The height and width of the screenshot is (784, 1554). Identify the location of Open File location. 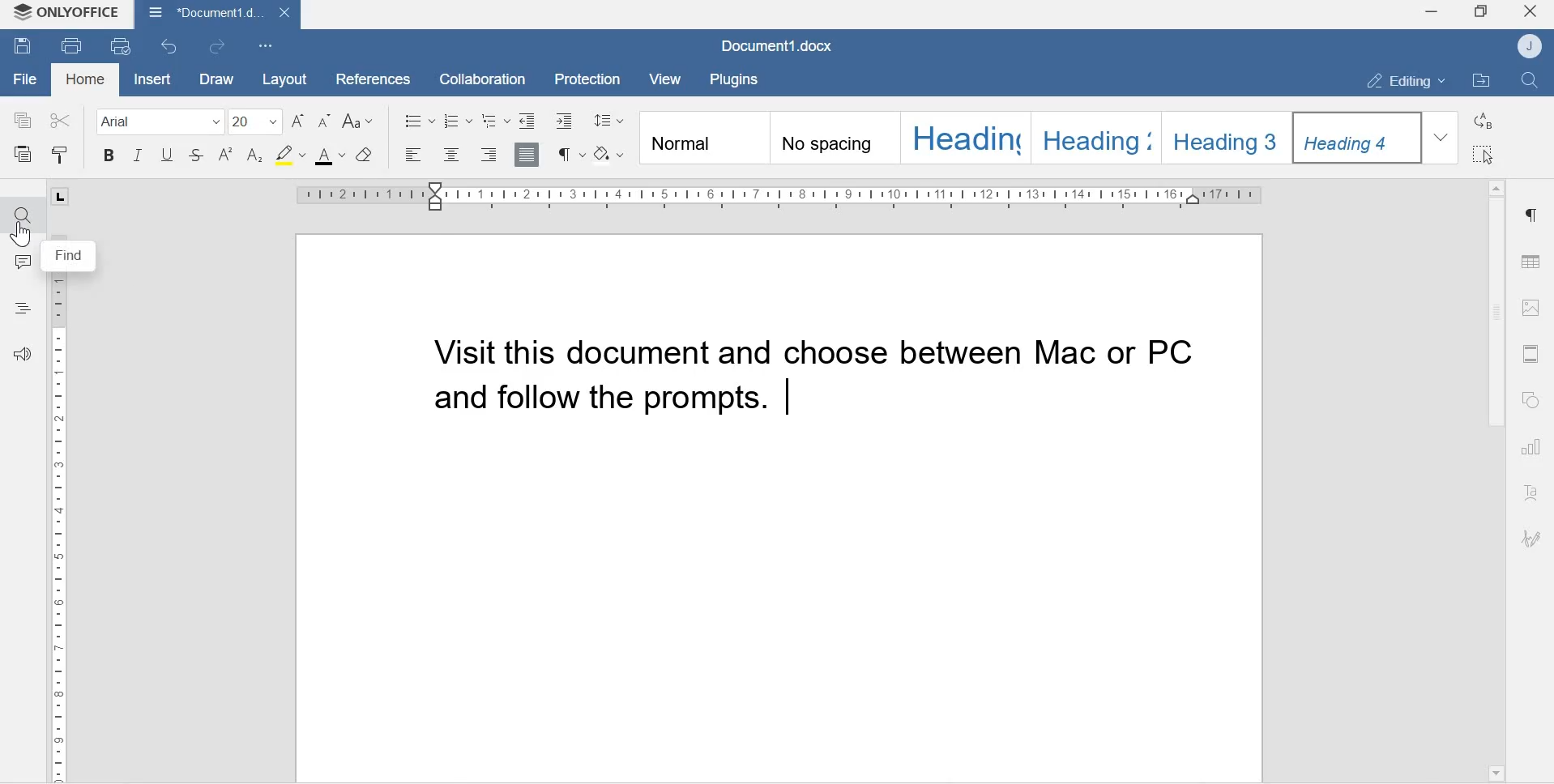
(1481, 82).